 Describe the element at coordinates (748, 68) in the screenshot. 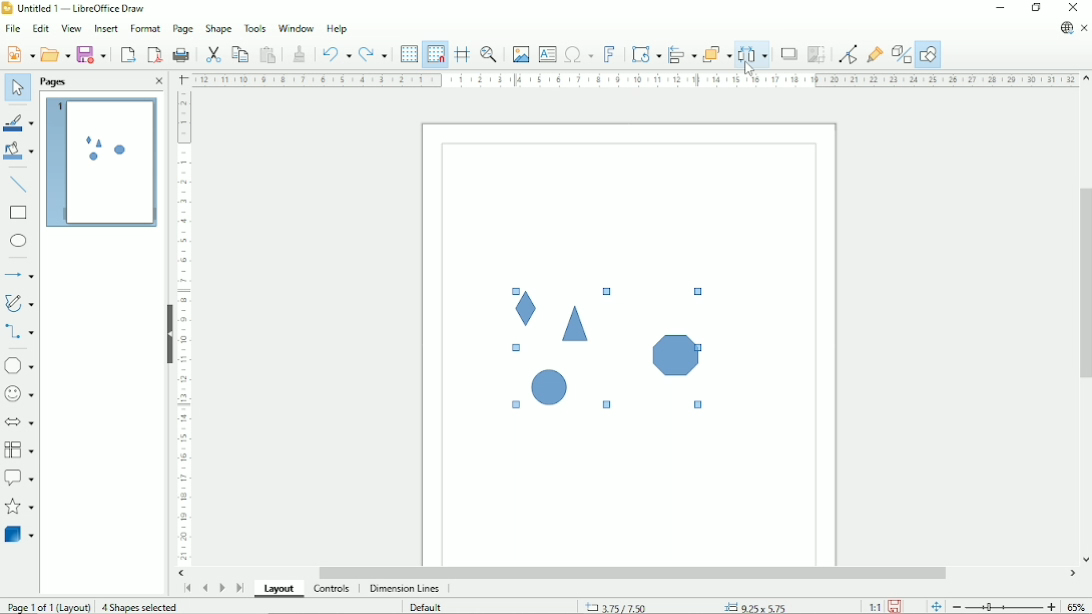

I see `Cursor` at that location.